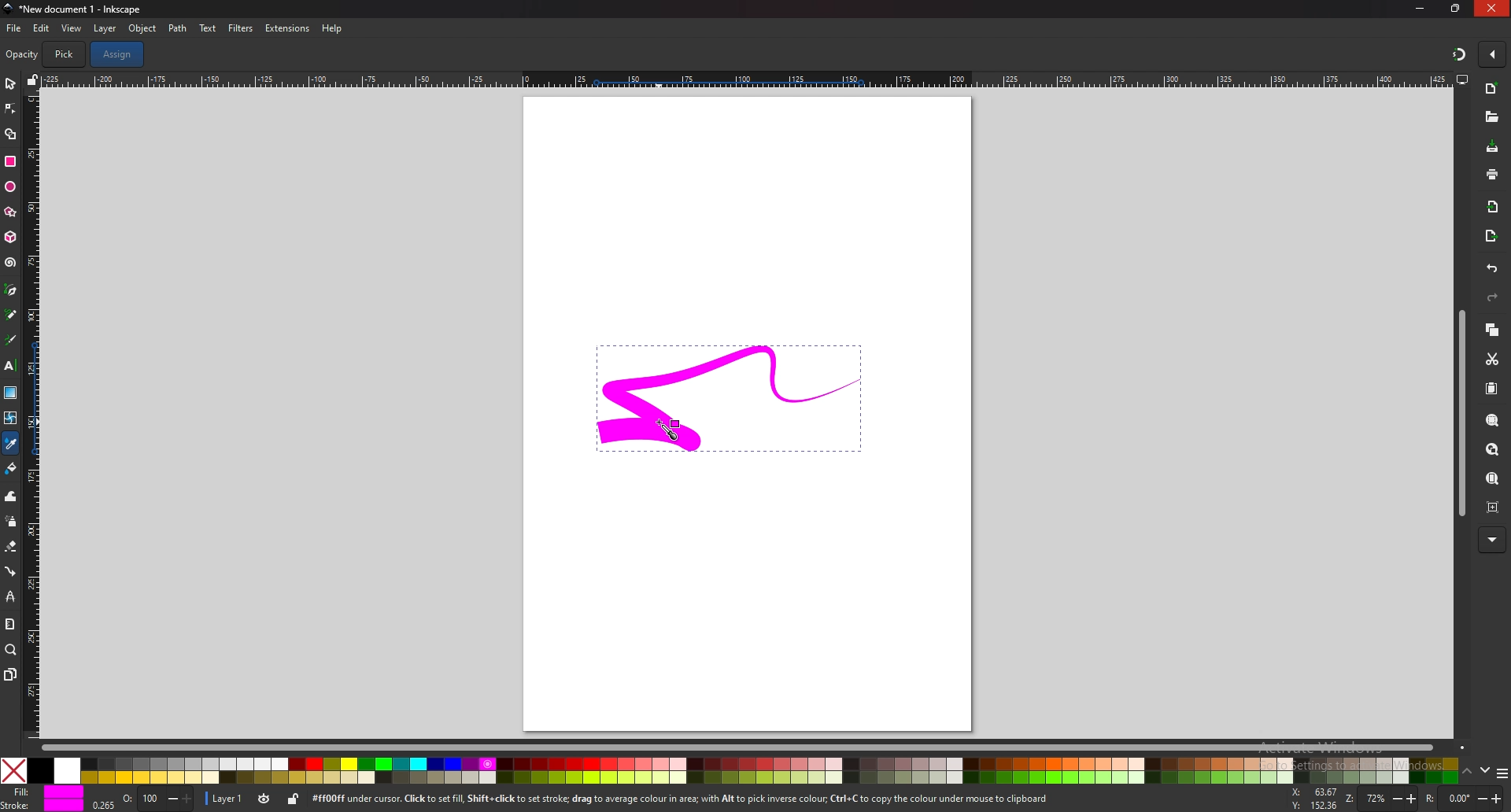 The image size is (1511, 812). What do you see at coordinates (1491, 507) in the screenshot?
I see `zoom centre page` at bounding box center [1491, 507].